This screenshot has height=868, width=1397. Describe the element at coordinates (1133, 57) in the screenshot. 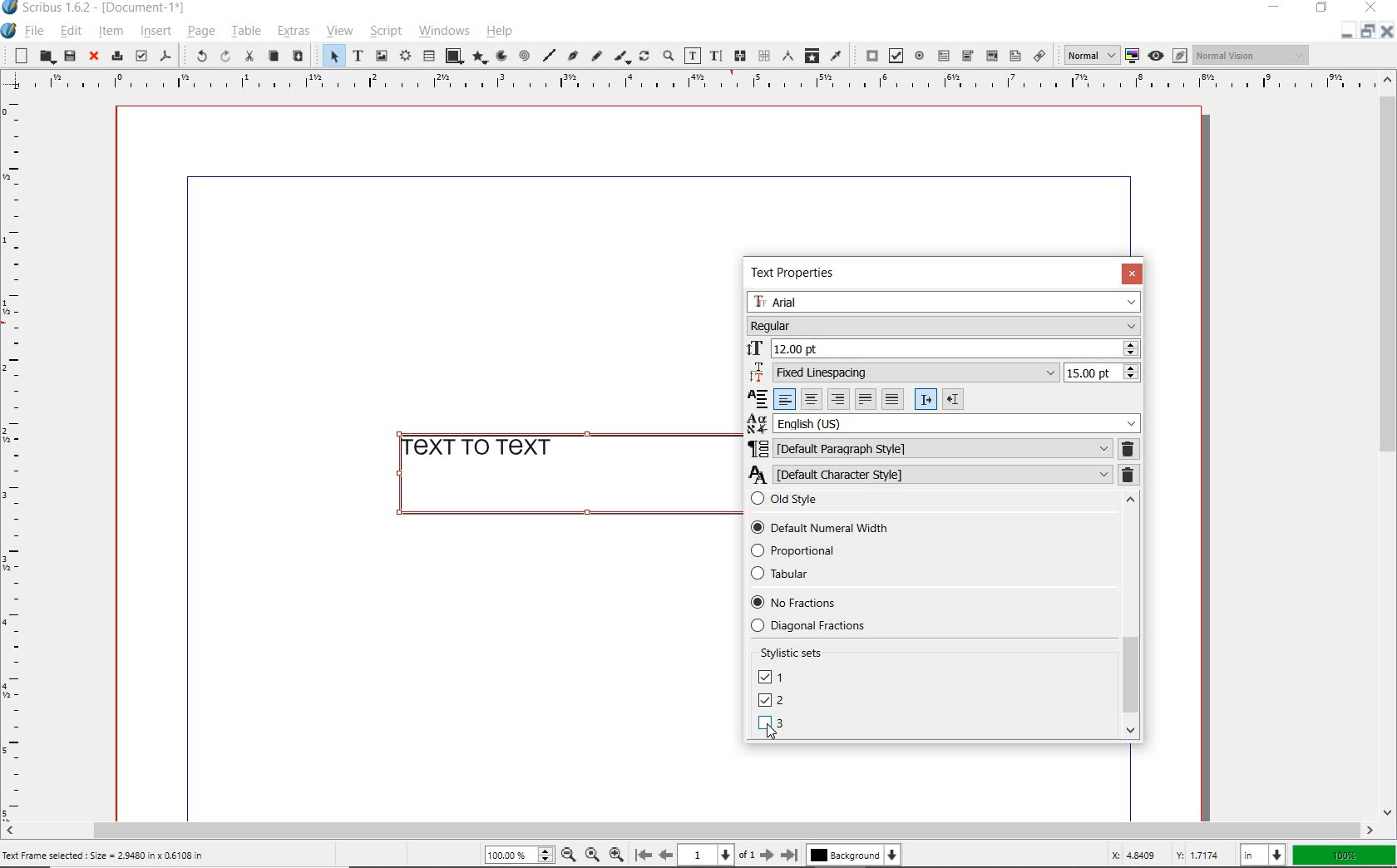

I see `toggle color` at that location.